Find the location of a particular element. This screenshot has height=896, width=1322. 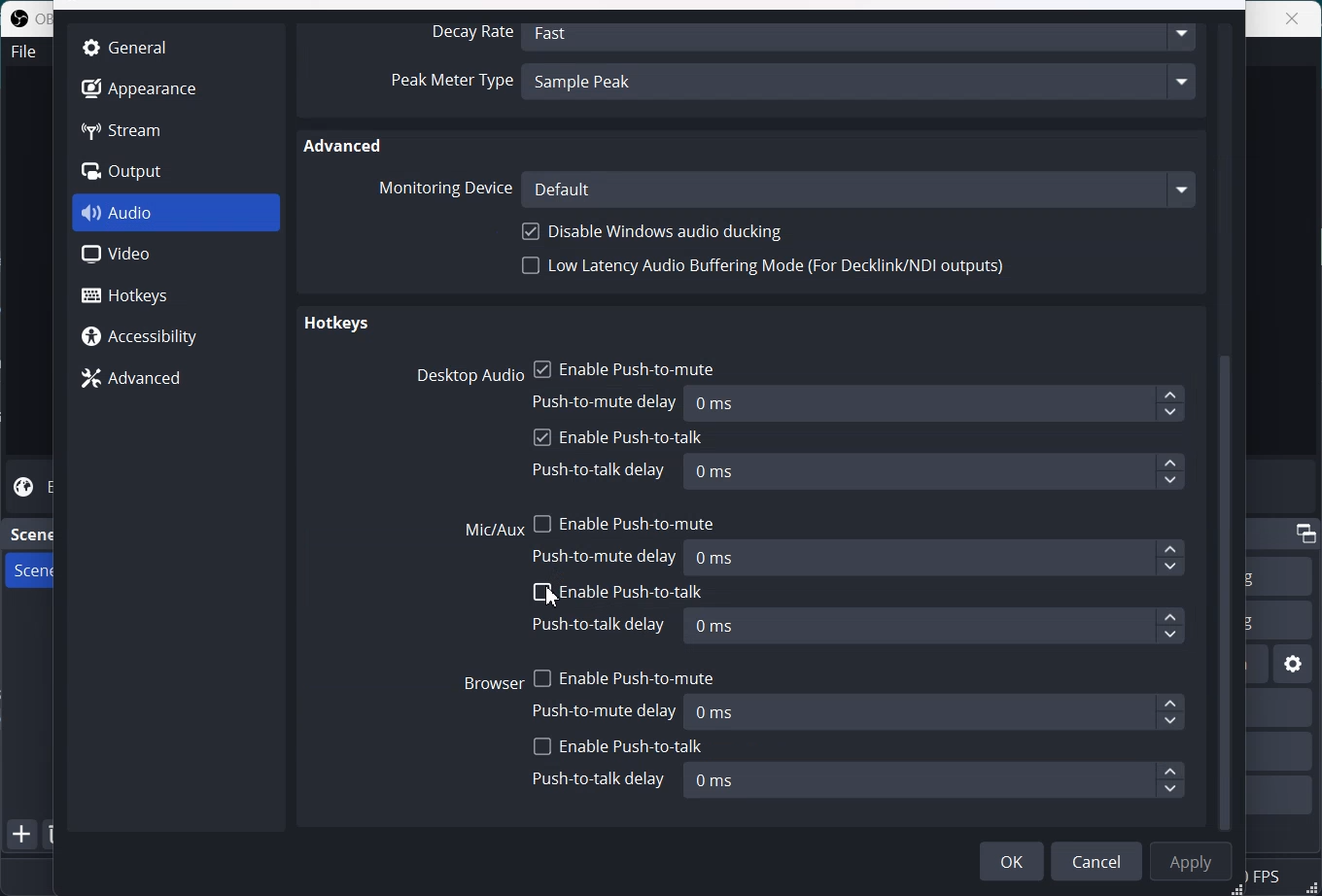

Mic/Aux is located at coordinates (495, 531).